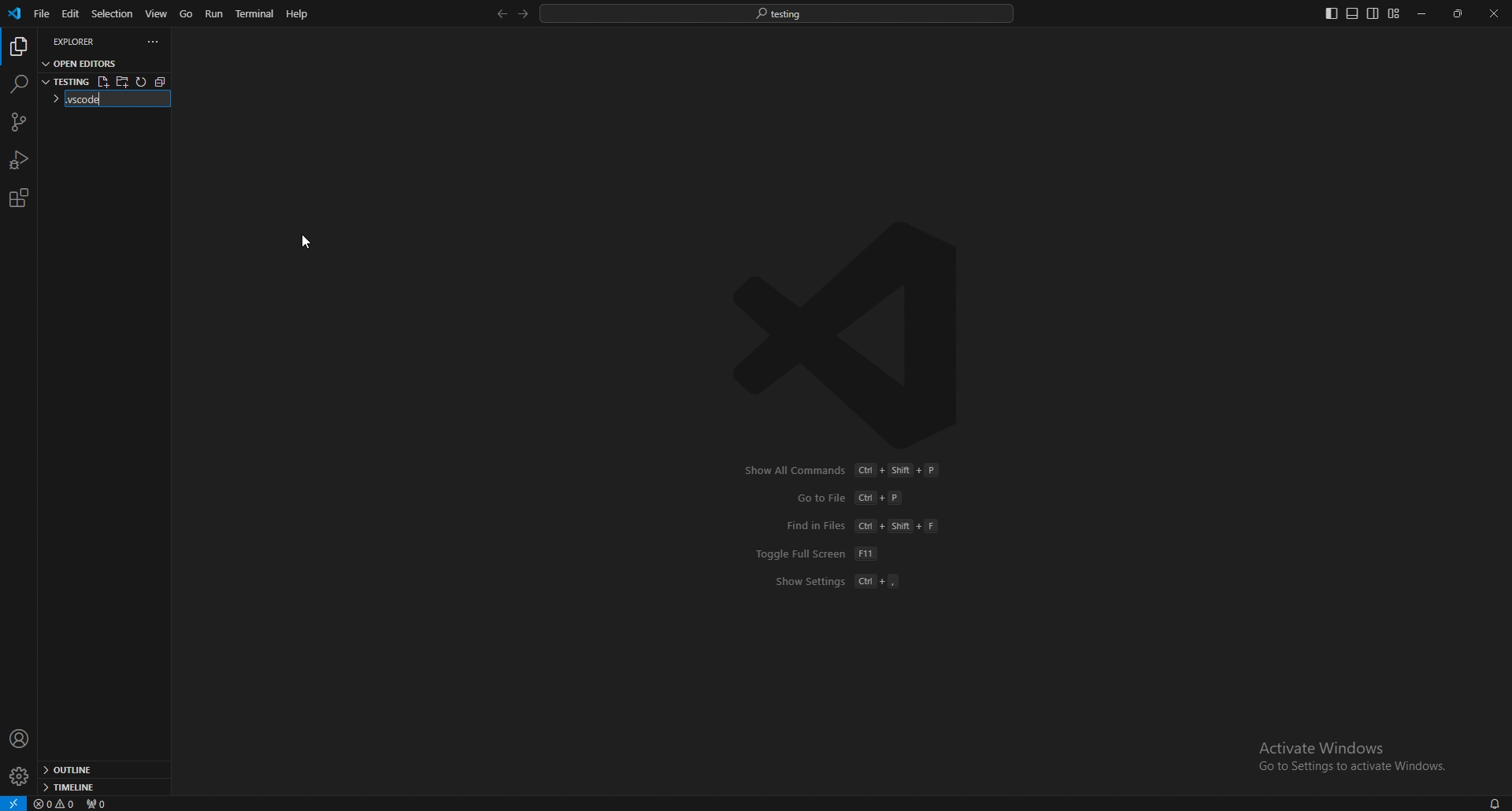 The image size is (1512, 811). What do you see at coordinates (69, 14) in the screenshot?
I see `edit` at bounding box center [69, 14].